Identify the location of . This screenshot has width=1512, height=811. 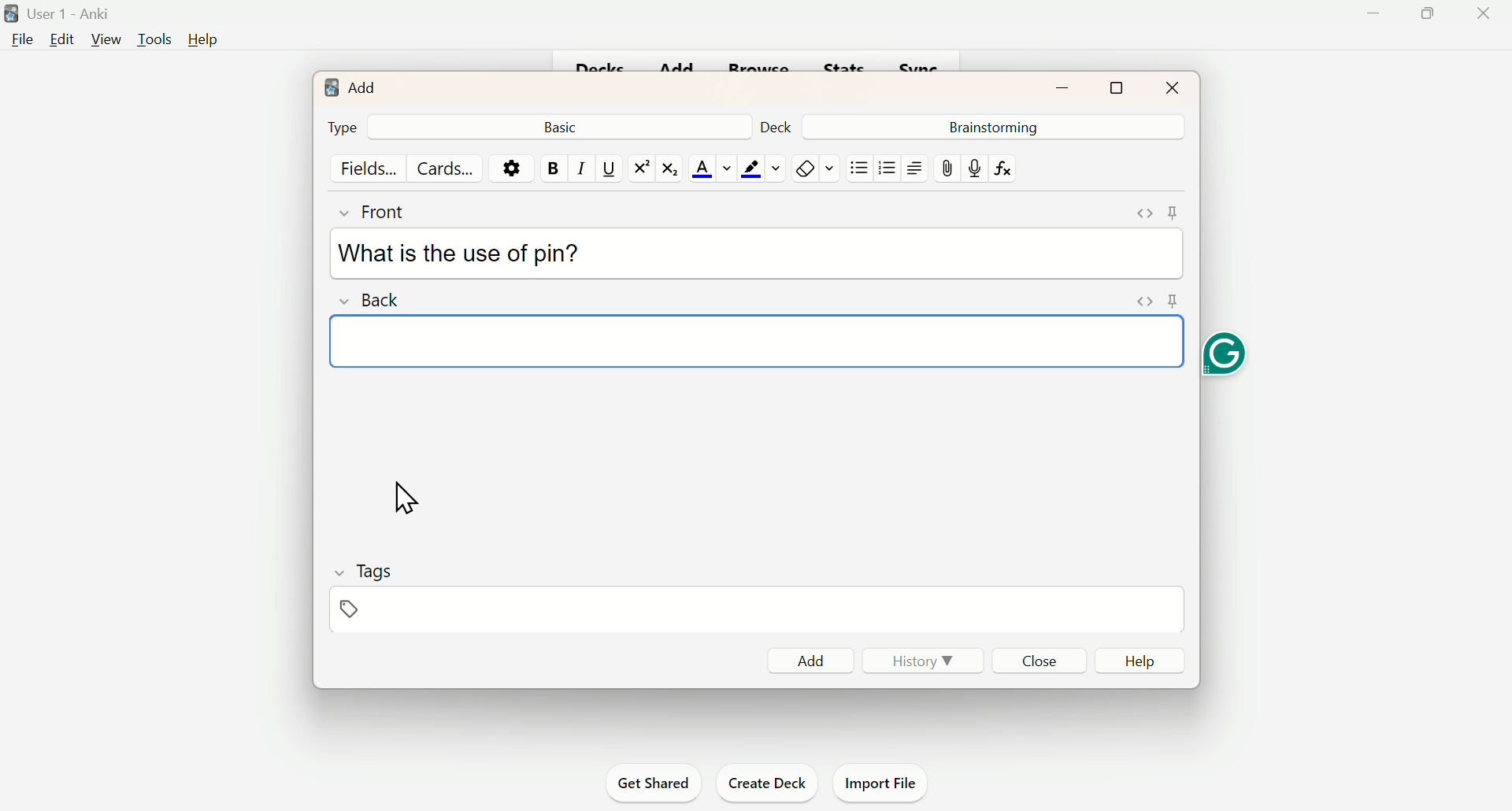
(943, 167).